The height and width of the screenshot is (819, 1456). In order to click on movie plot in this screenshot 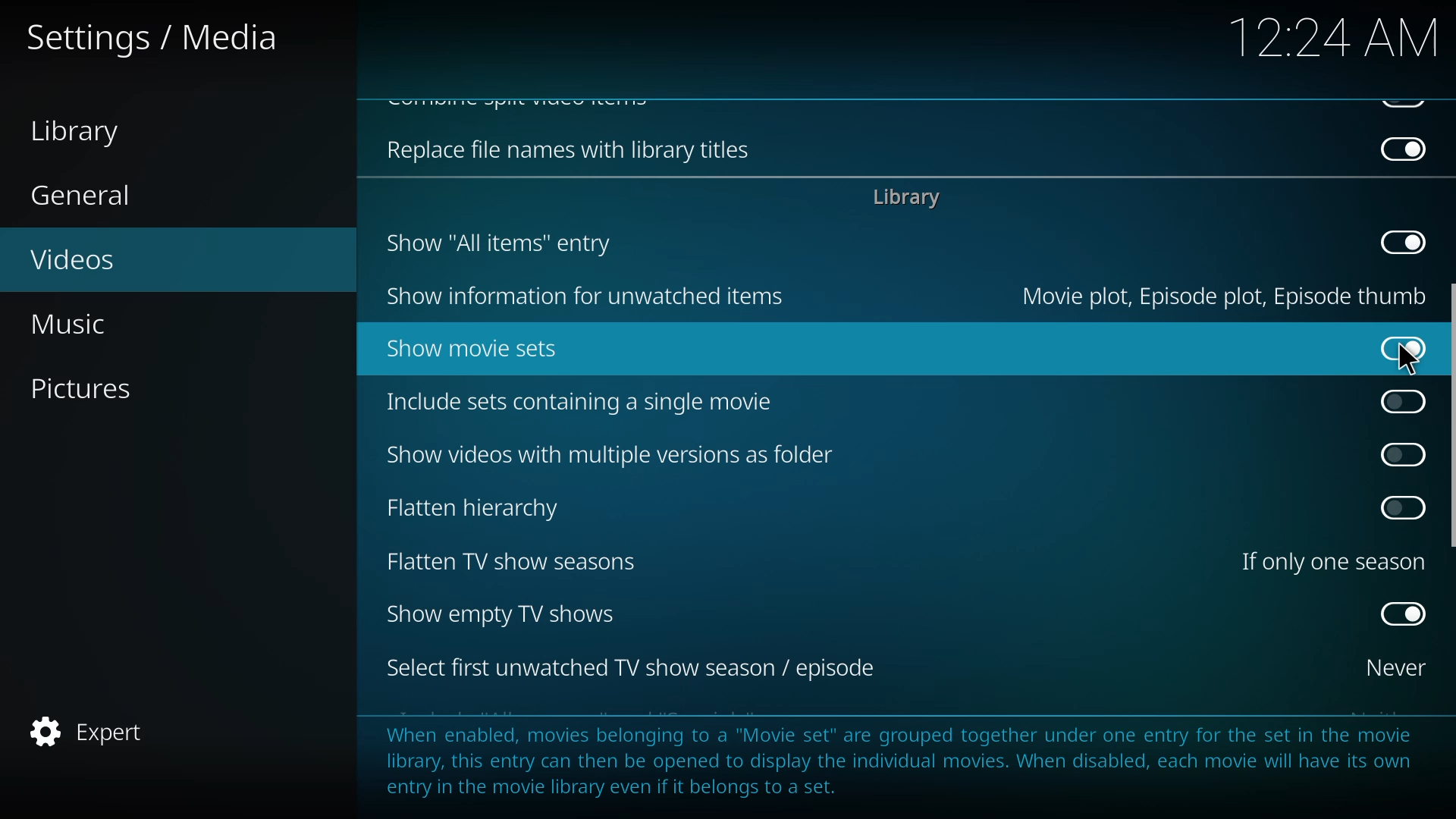, I will do `click(1217, 295)`.